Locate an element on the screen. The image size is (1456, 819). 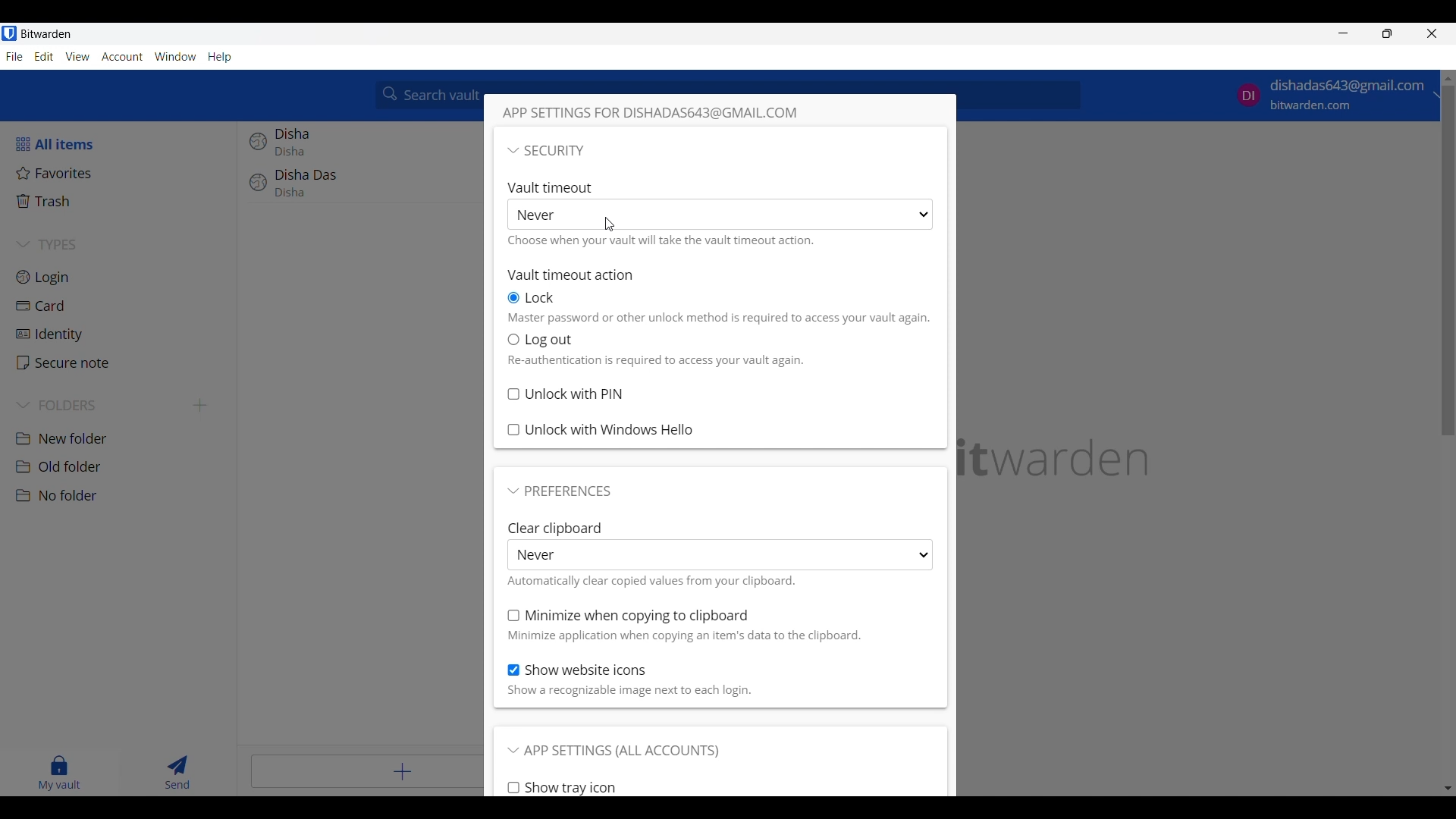
Description of above list is located at coordinates (651, 580).